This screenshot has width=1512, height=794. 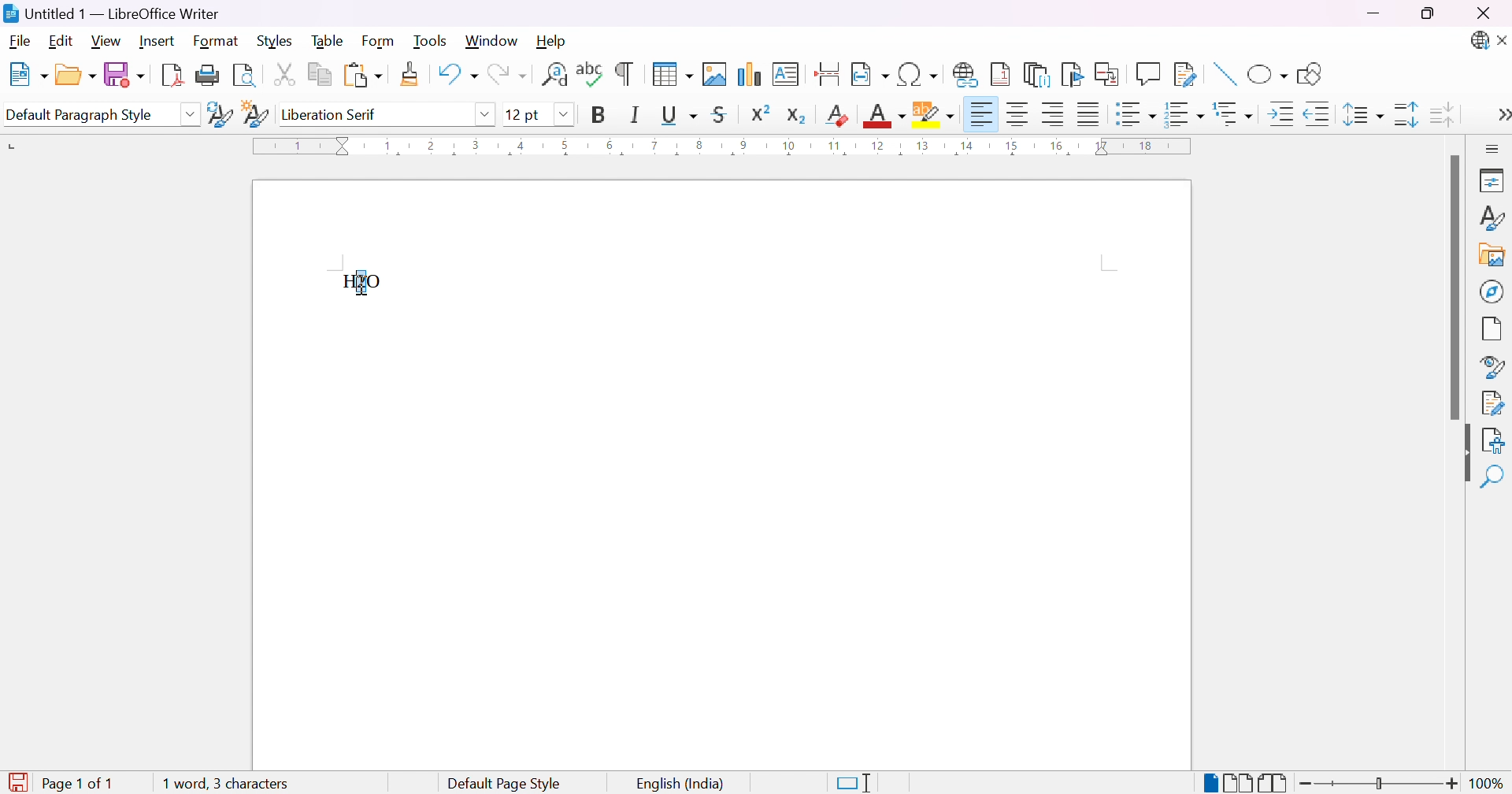 What do you see at coordinates (1020, 114) in the screenshot?
I see `Align center` at bounding box center [1020, 114].